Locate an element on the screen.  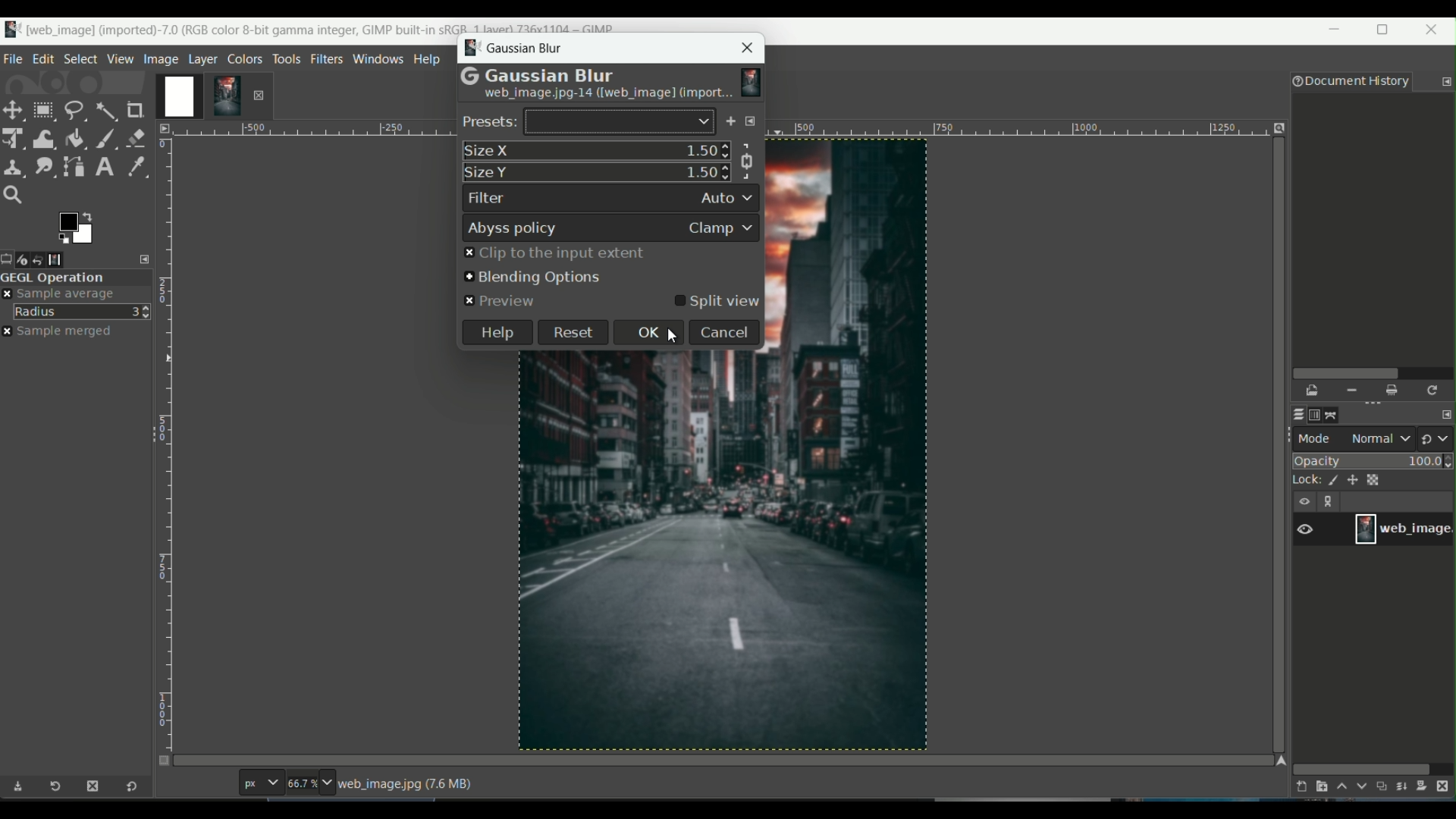
smudge tool is located at coordinates (43, 166).